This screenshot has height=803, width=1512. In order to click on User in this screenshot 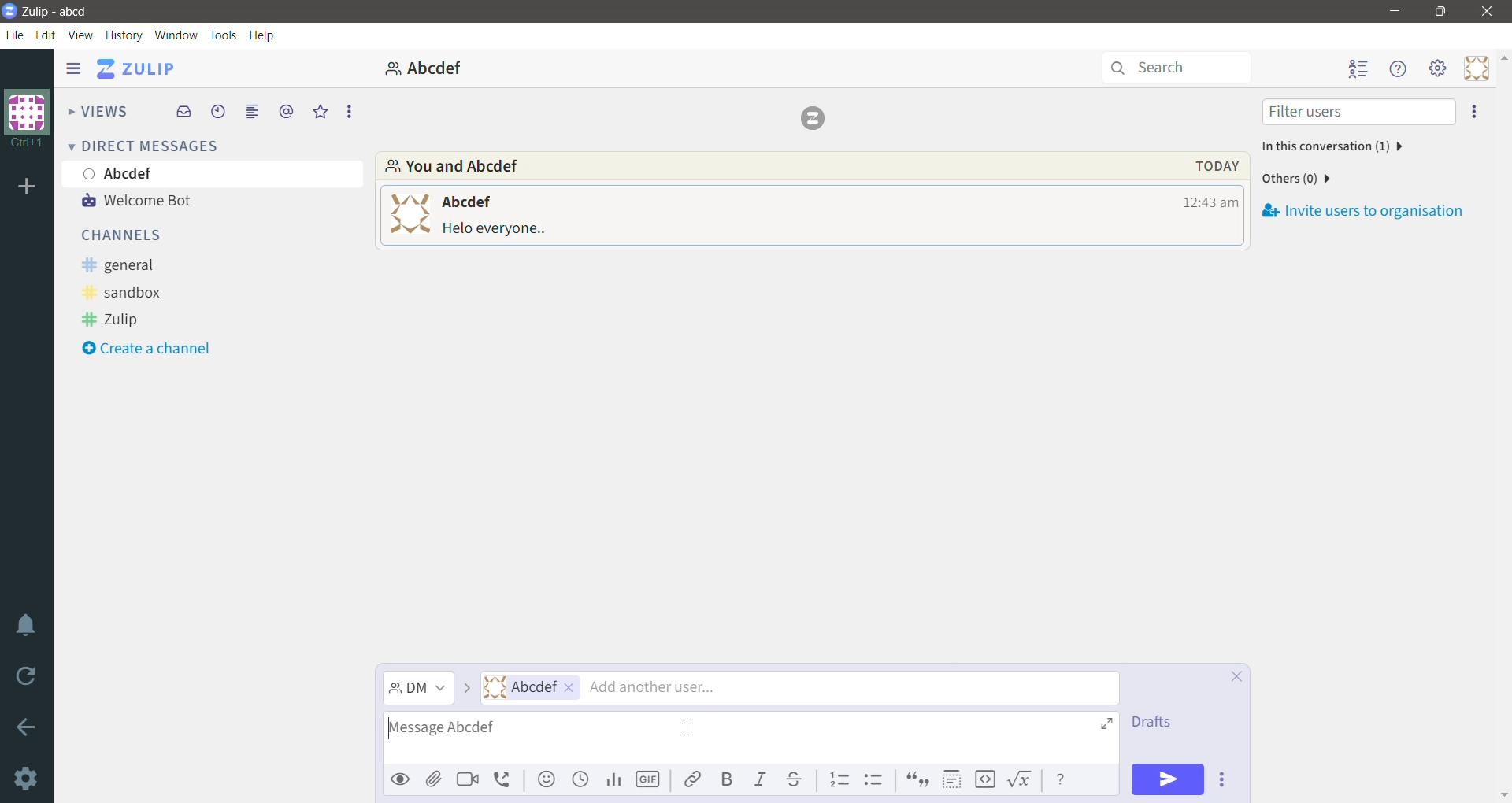, I will do `click(215, 173)`.